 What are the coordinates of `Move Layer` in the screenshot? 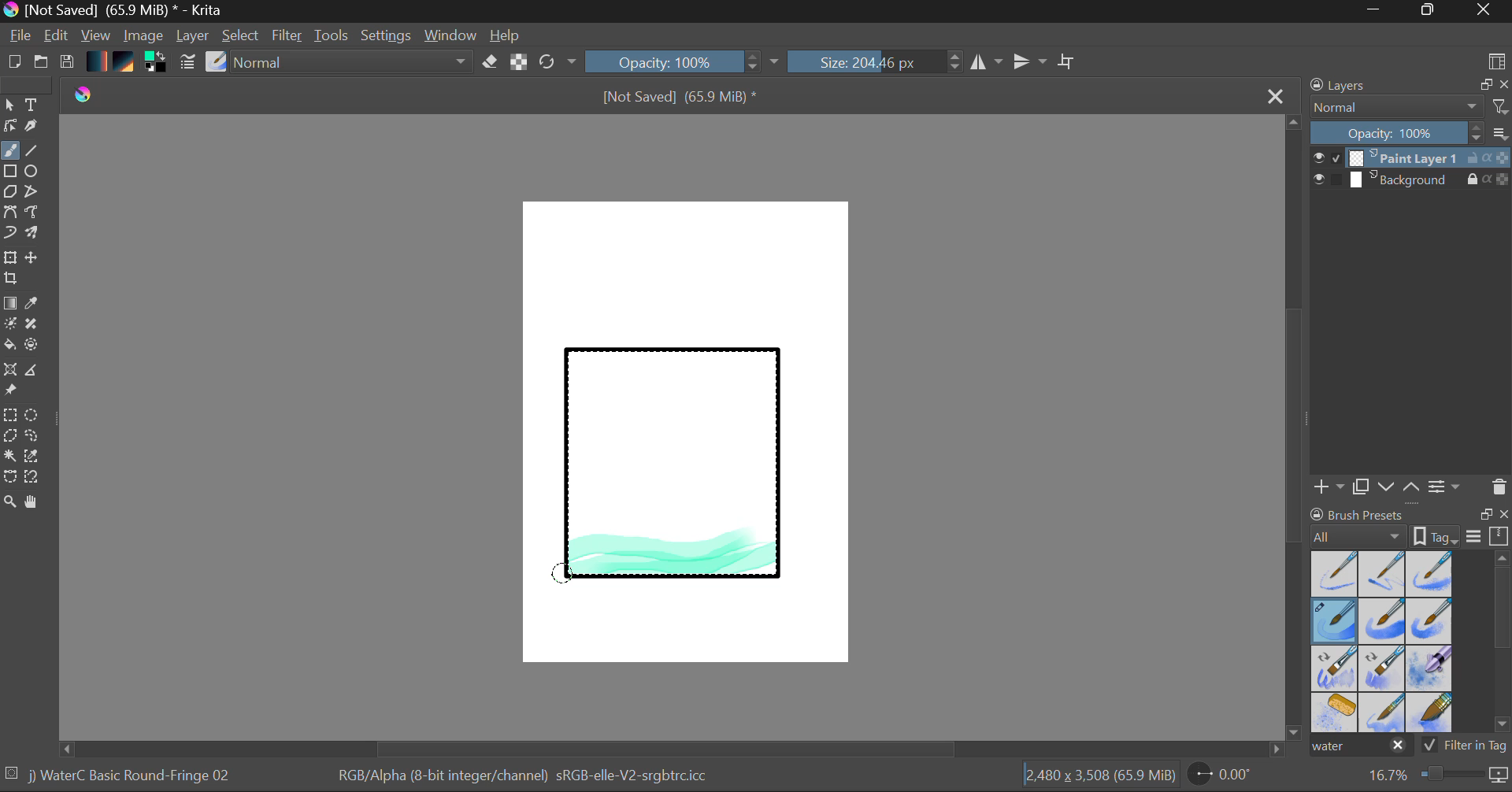 It's located at (33, 257).